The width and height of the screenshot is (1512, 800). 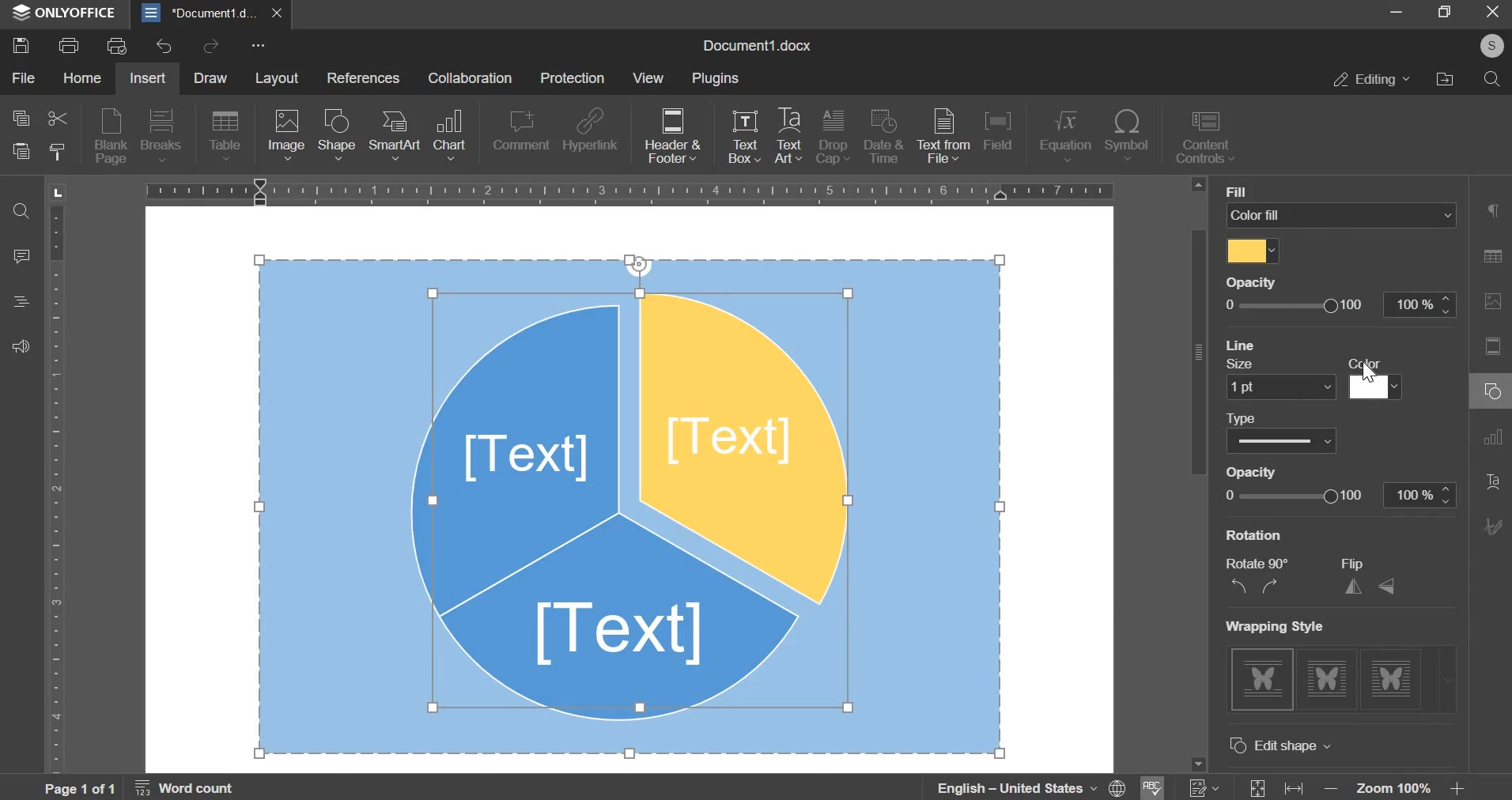 What do you see at coordinates (1202, 787) in the screenshot?
I see `track changes` at bounding box center [1202, 787].